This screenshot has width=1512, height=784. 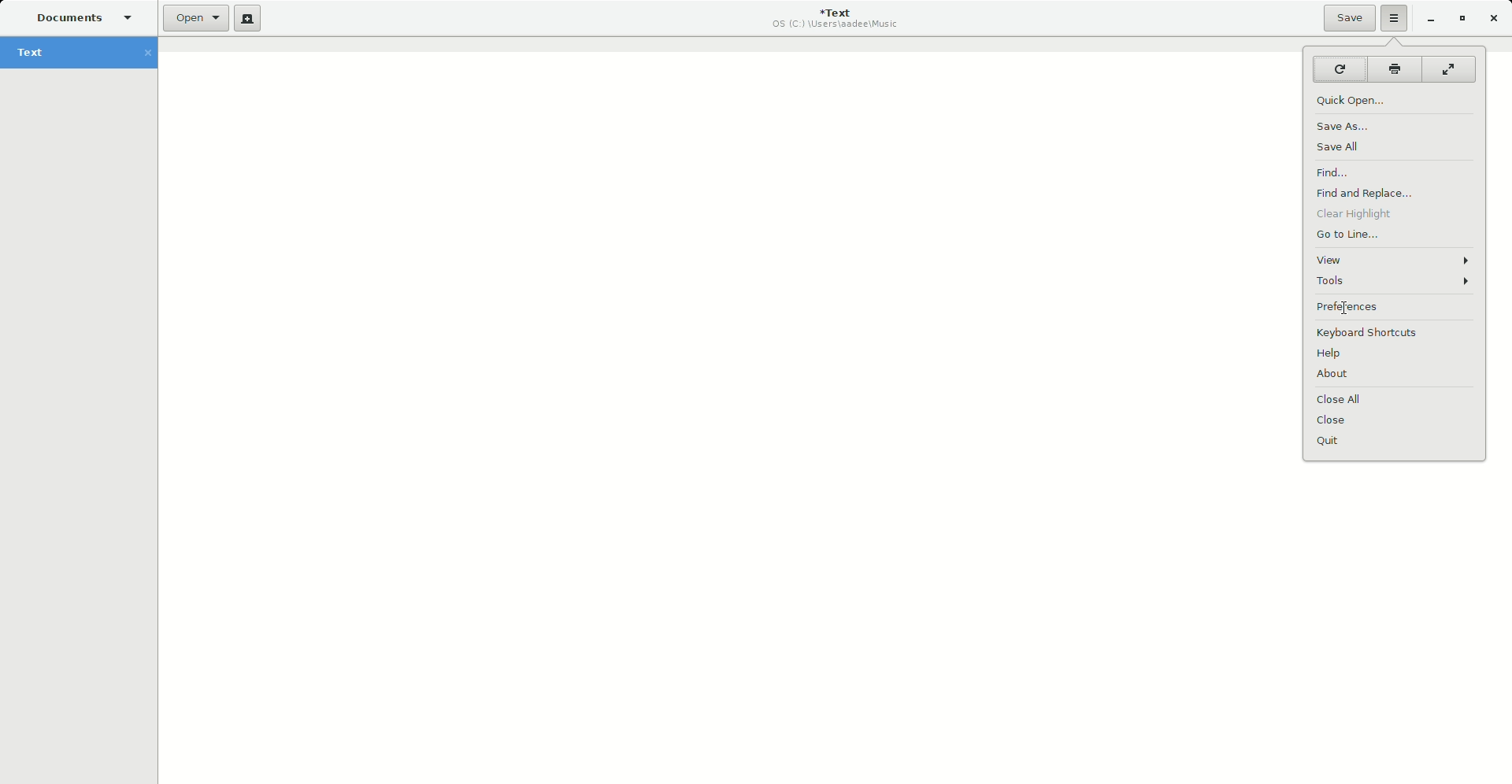 What do you see at coordinates (248, 18) in the screenshot?
I see `New` at bounding box center [248, 18].